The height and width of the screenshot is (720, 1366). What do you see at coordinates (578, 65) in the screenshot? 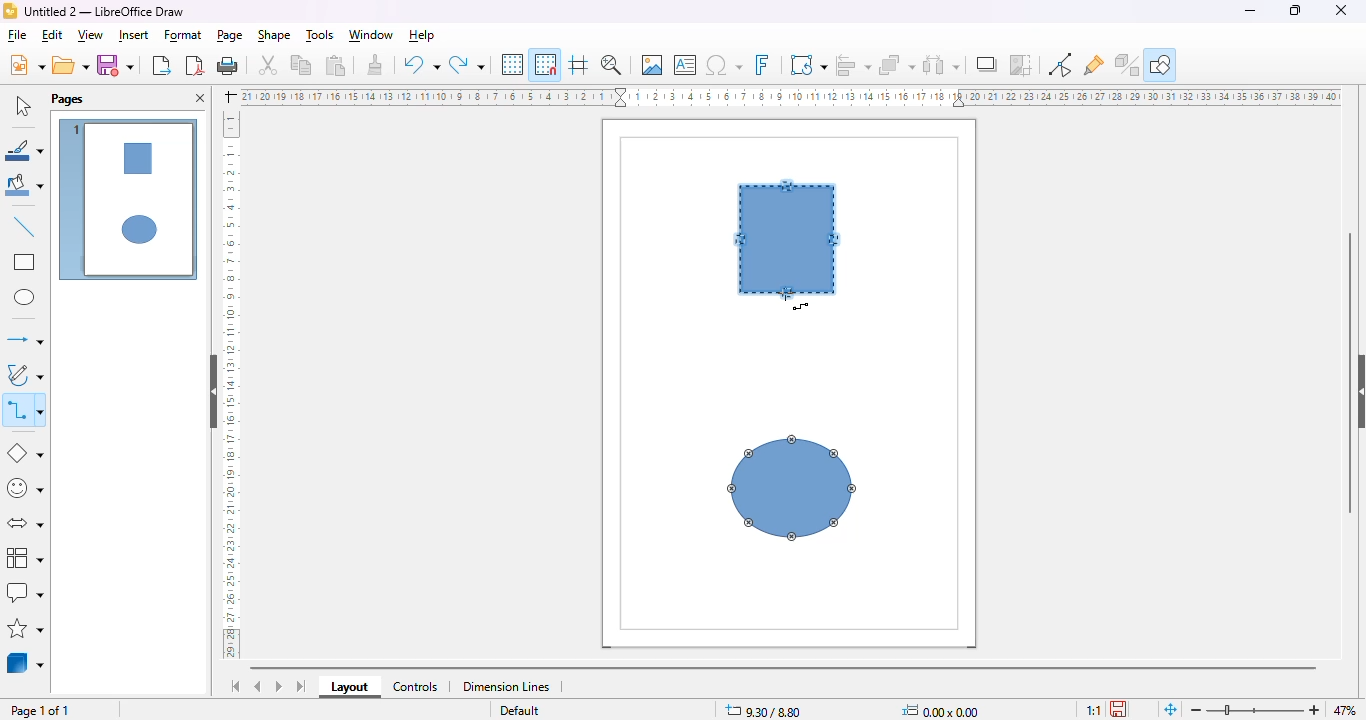
I see `helplines while moving` at bounding box center [578, 65].